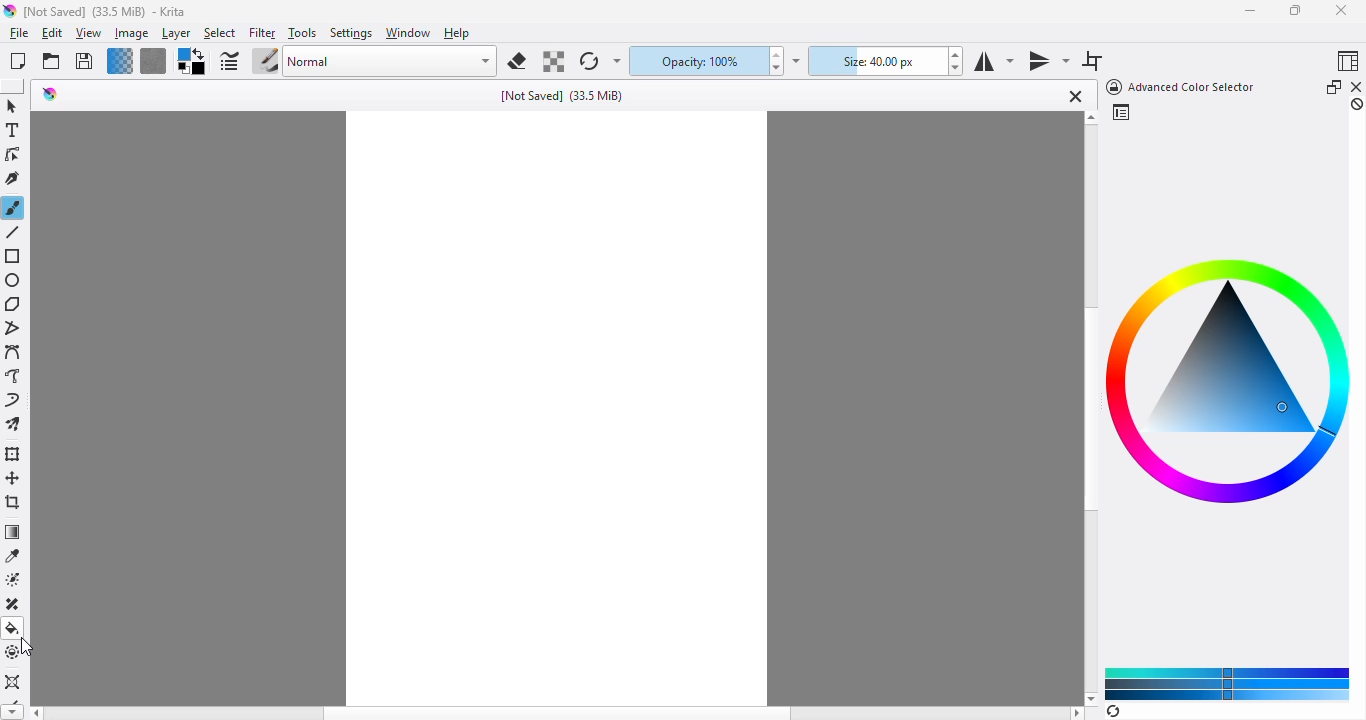 Image resolution: width=1366 pixels, height=720 pixels. Describe the element at coordinates (408, 33) in the screenshot. I see `window` at that location.